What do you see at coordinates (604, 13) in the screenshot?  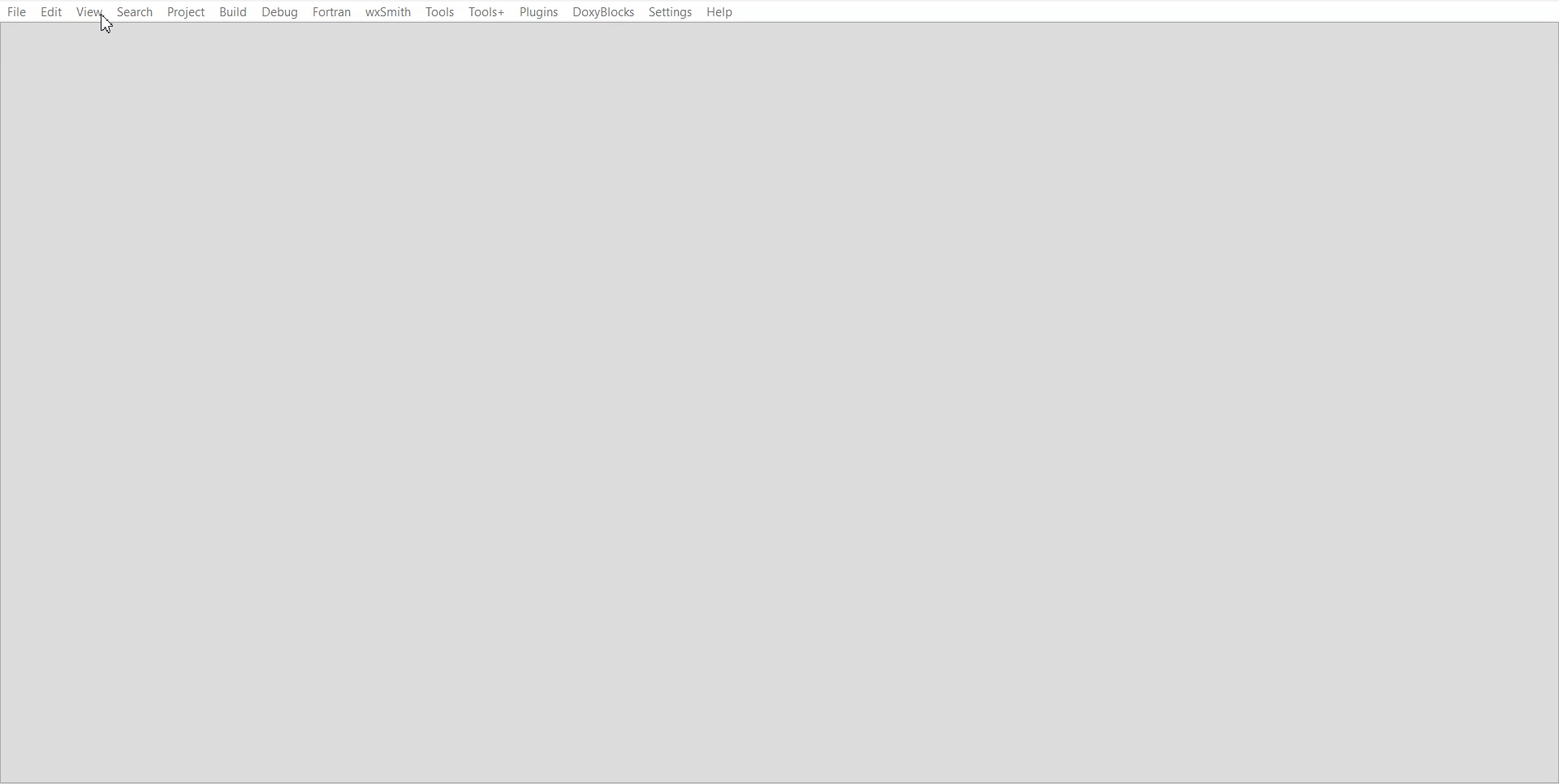 I see `DoxyBlocks` at bounding box center [604, 13].